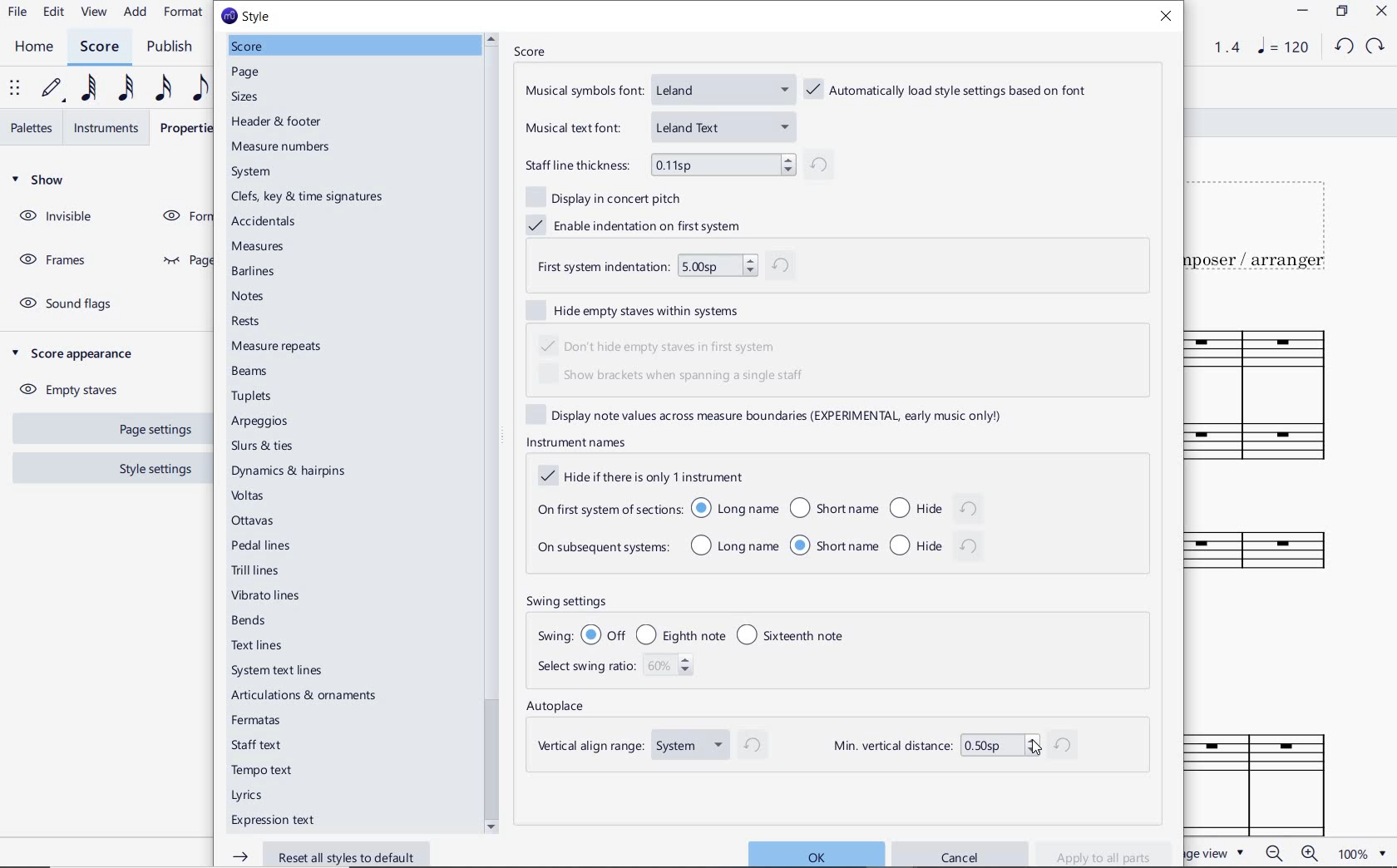 This screenshot has height=868, width=1397. I want to click on ok, so click(812, 853).